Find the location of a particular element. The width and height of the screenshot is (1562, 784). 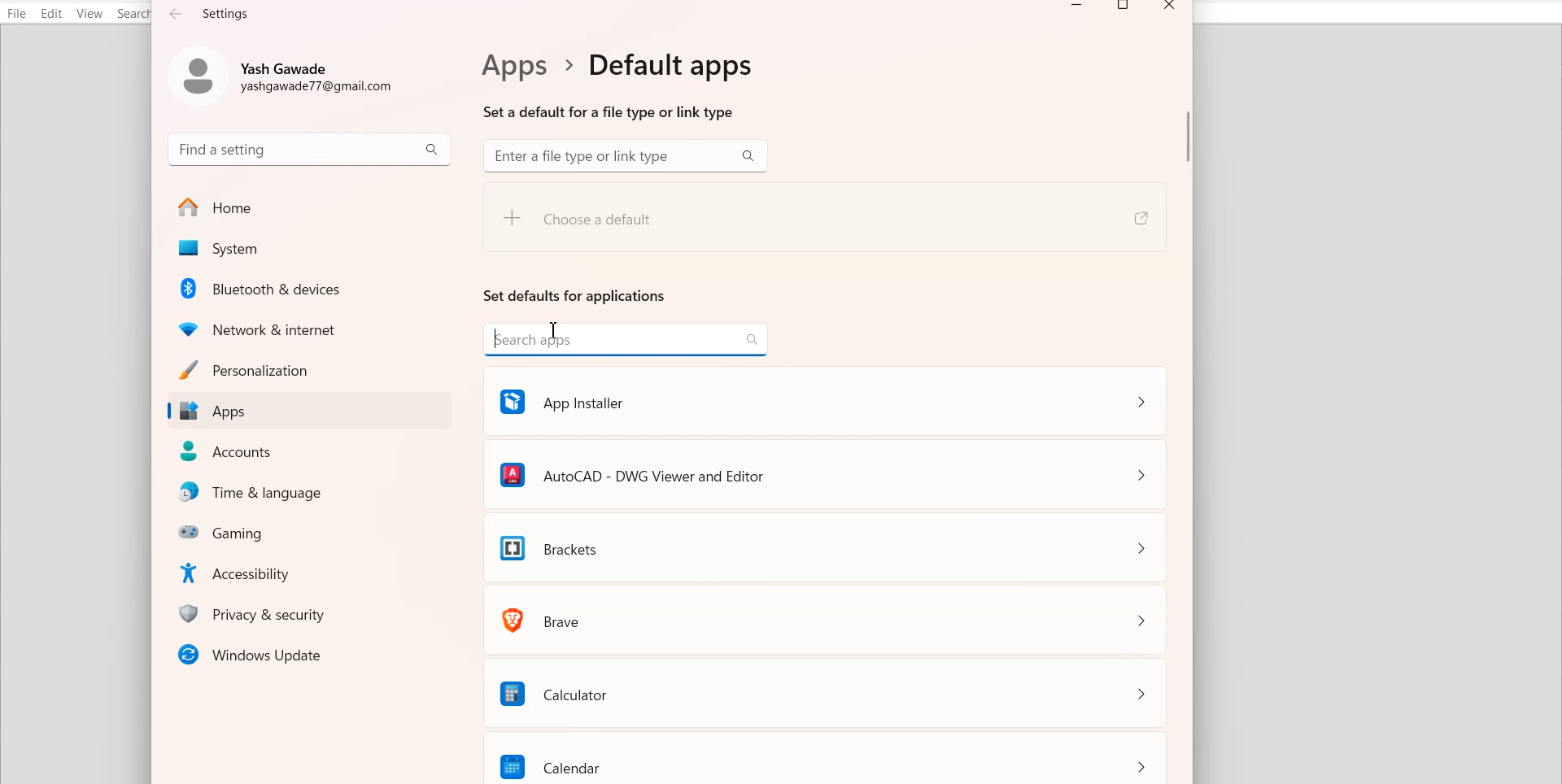

Text is located at coordinates (211, 13).